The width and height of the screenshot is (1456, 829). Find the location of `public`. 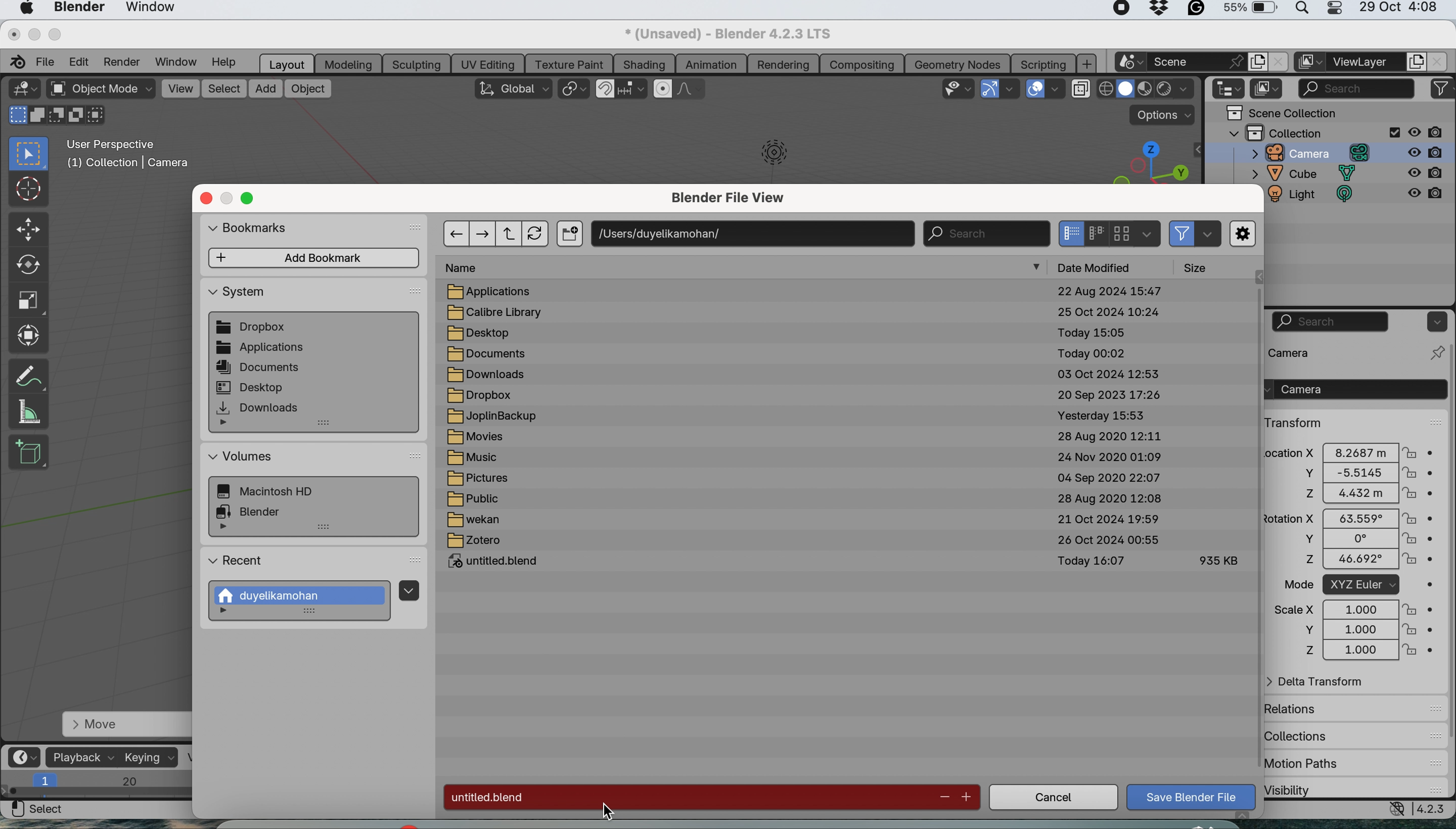

public is located at coordinates (475, 499).